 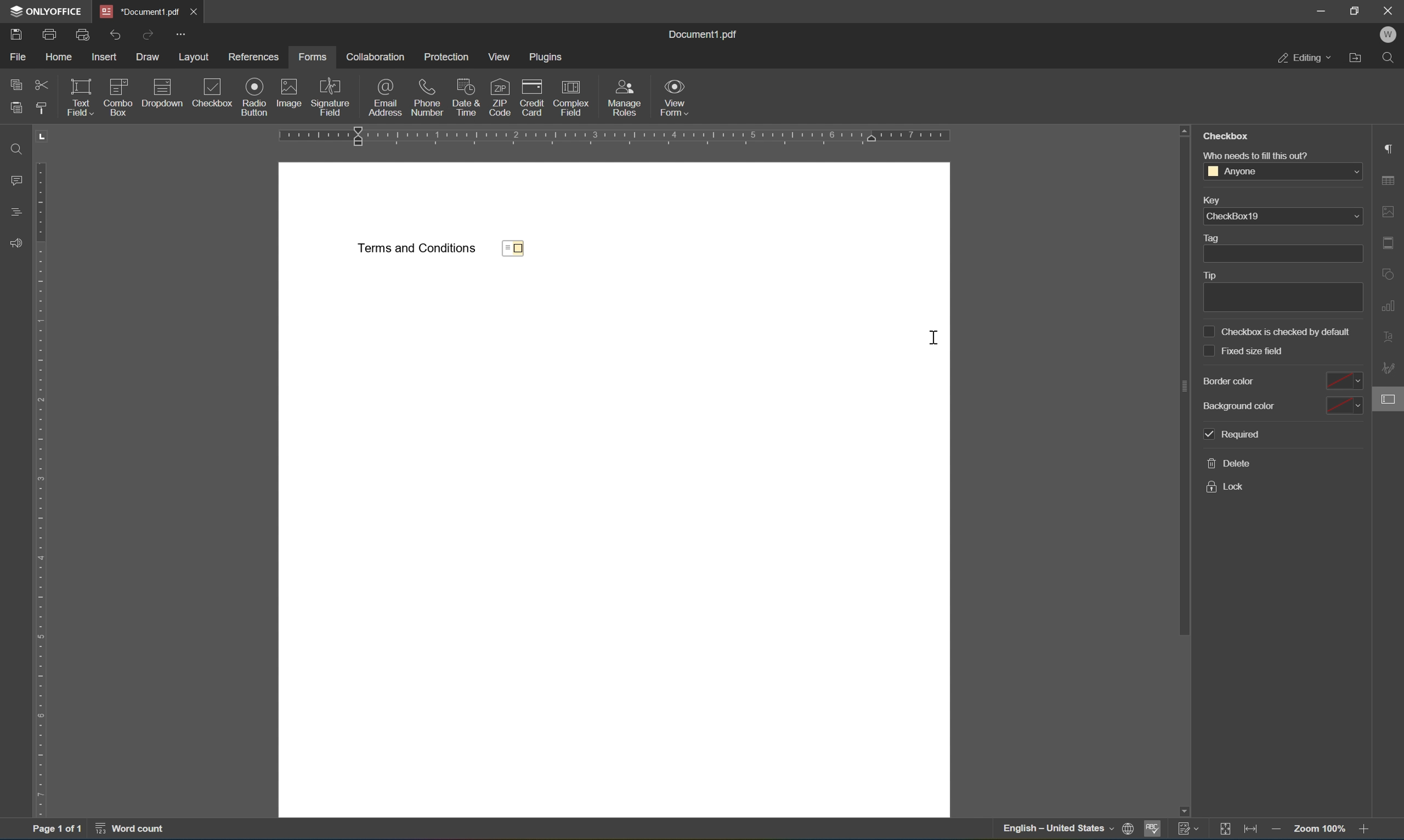 What do you see at coordinates (547, 58) in the screenshot?
I see `plugins` at bounding box center [547, 58].